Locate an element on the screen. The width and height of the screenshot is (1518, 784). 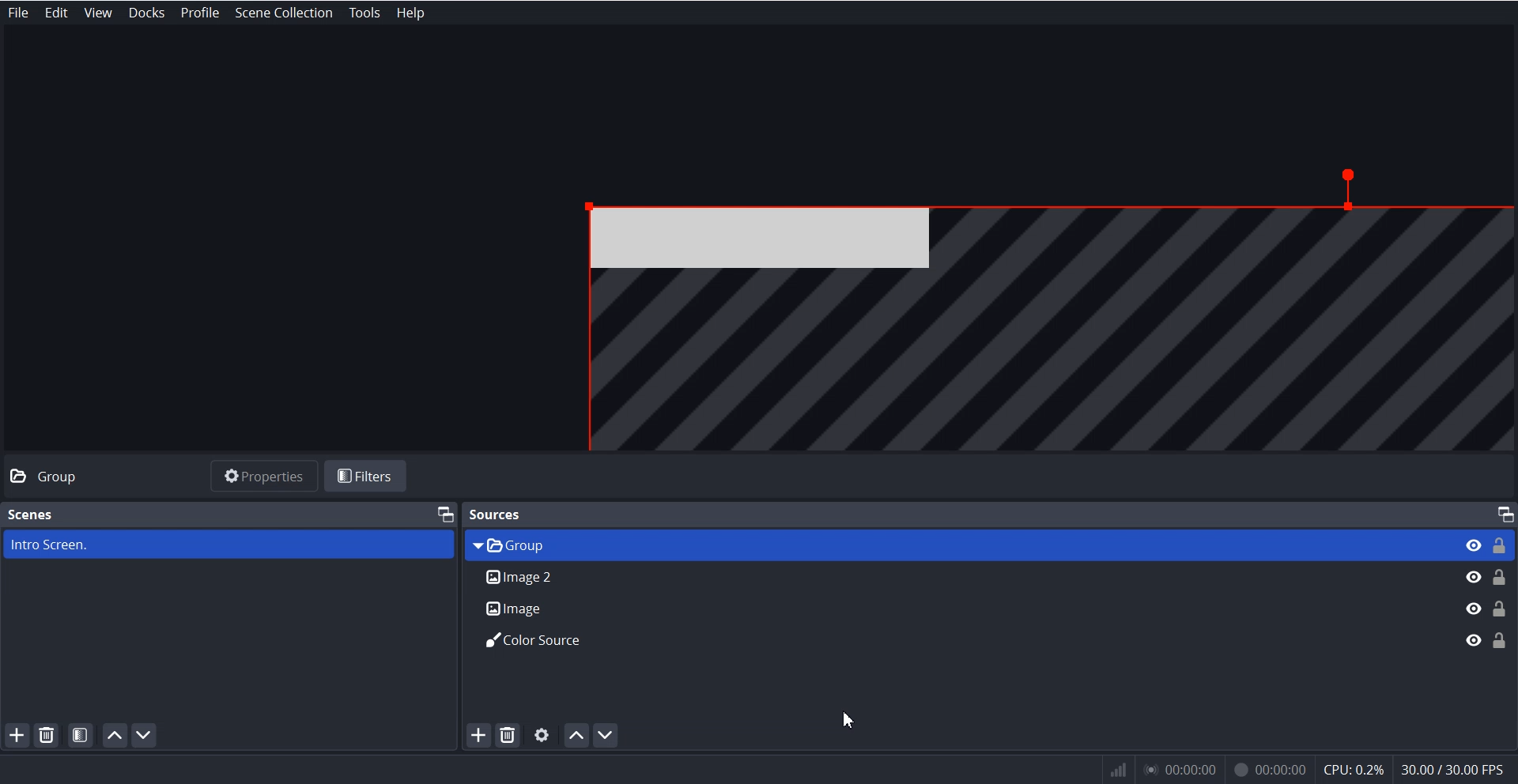
Cursor is located at coordinates (850, 720).